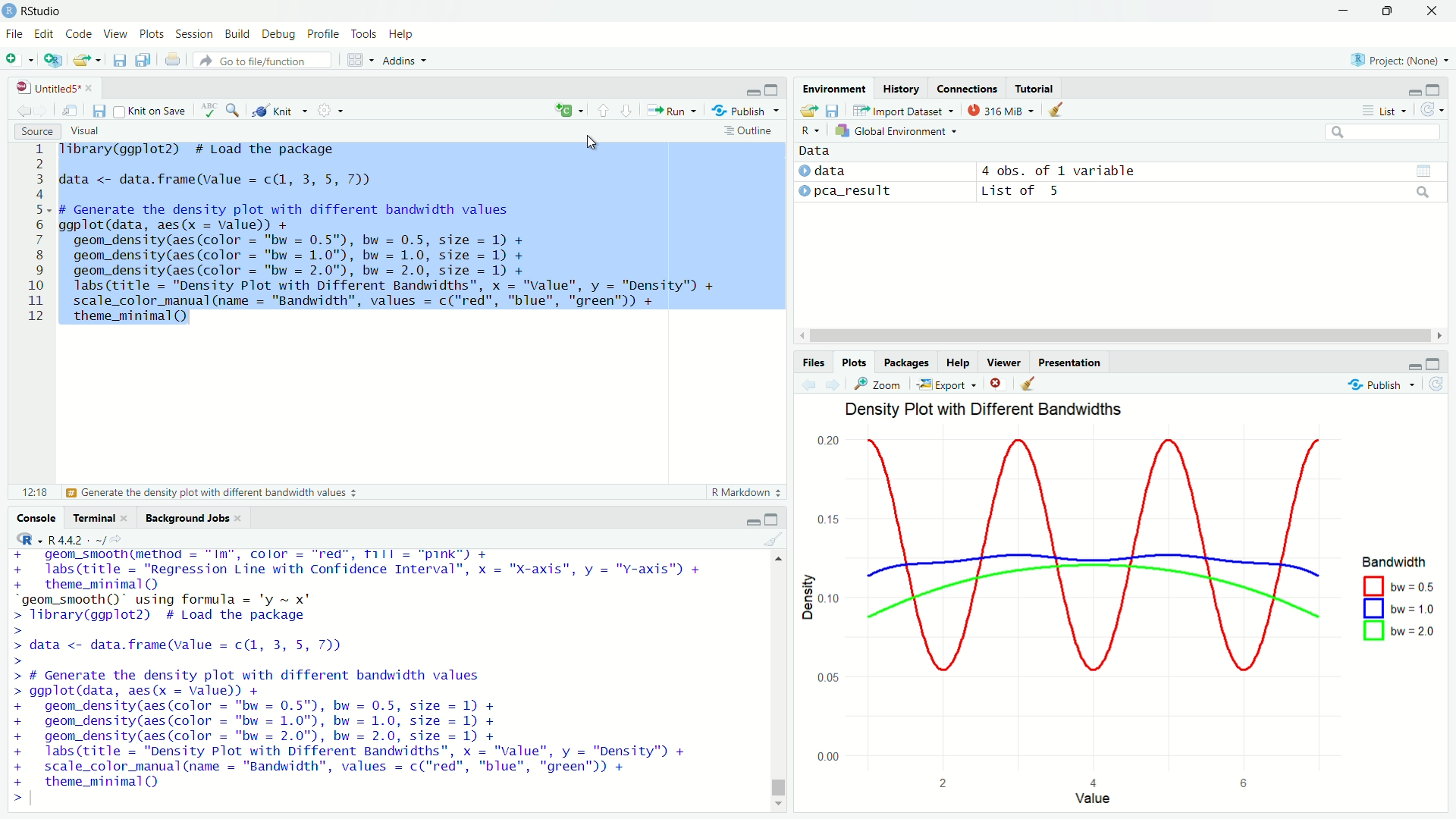 The width and height of the screenshot is (1456, 819). Describe the element at coordinates (115, 33) in the screenshot. I see `View` at that location.